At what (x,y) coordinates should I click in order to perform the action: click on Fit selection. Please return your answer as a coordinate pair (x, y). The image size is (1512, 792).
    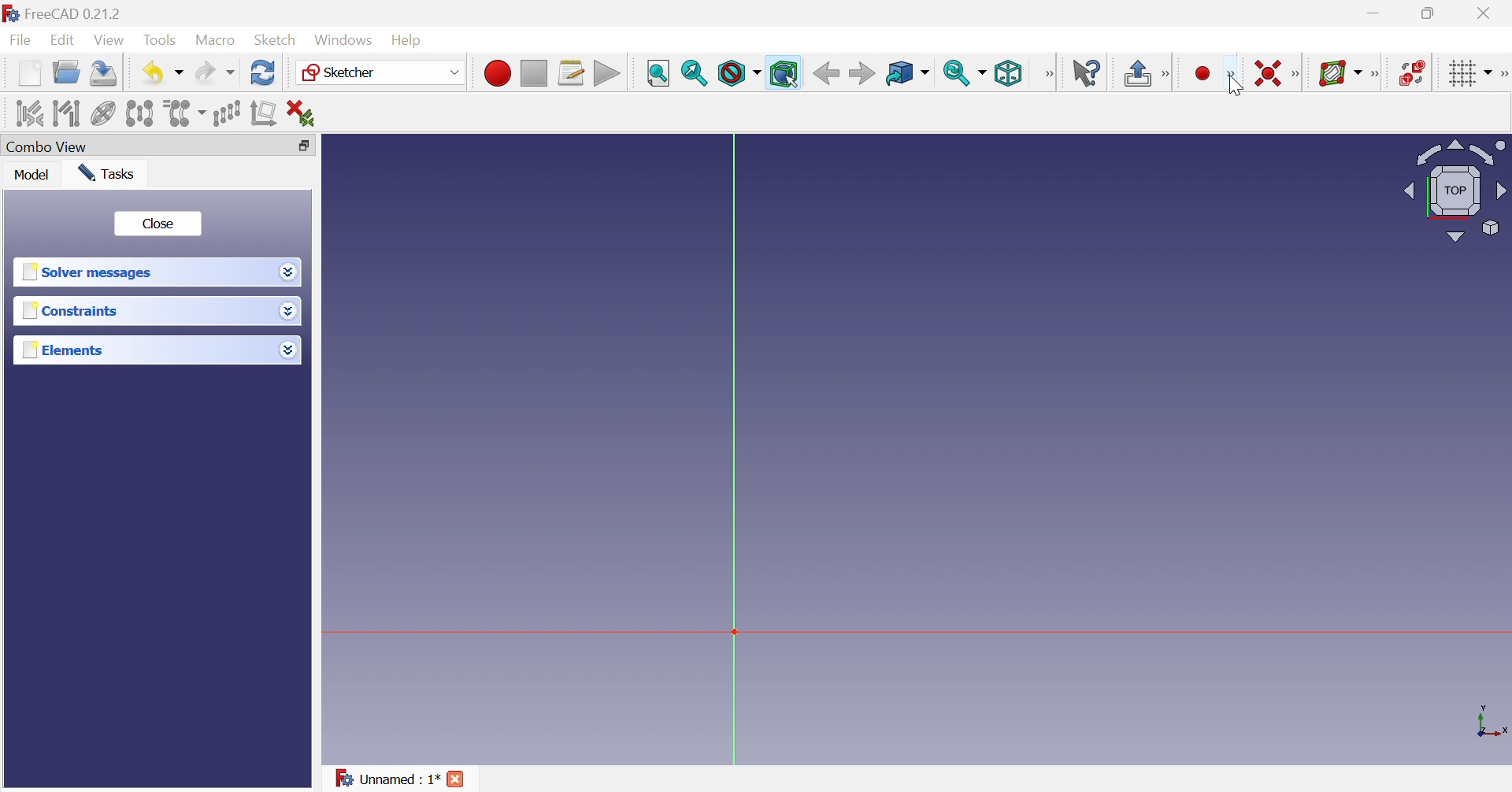
    Looking at the image, I should click on (695, 72).